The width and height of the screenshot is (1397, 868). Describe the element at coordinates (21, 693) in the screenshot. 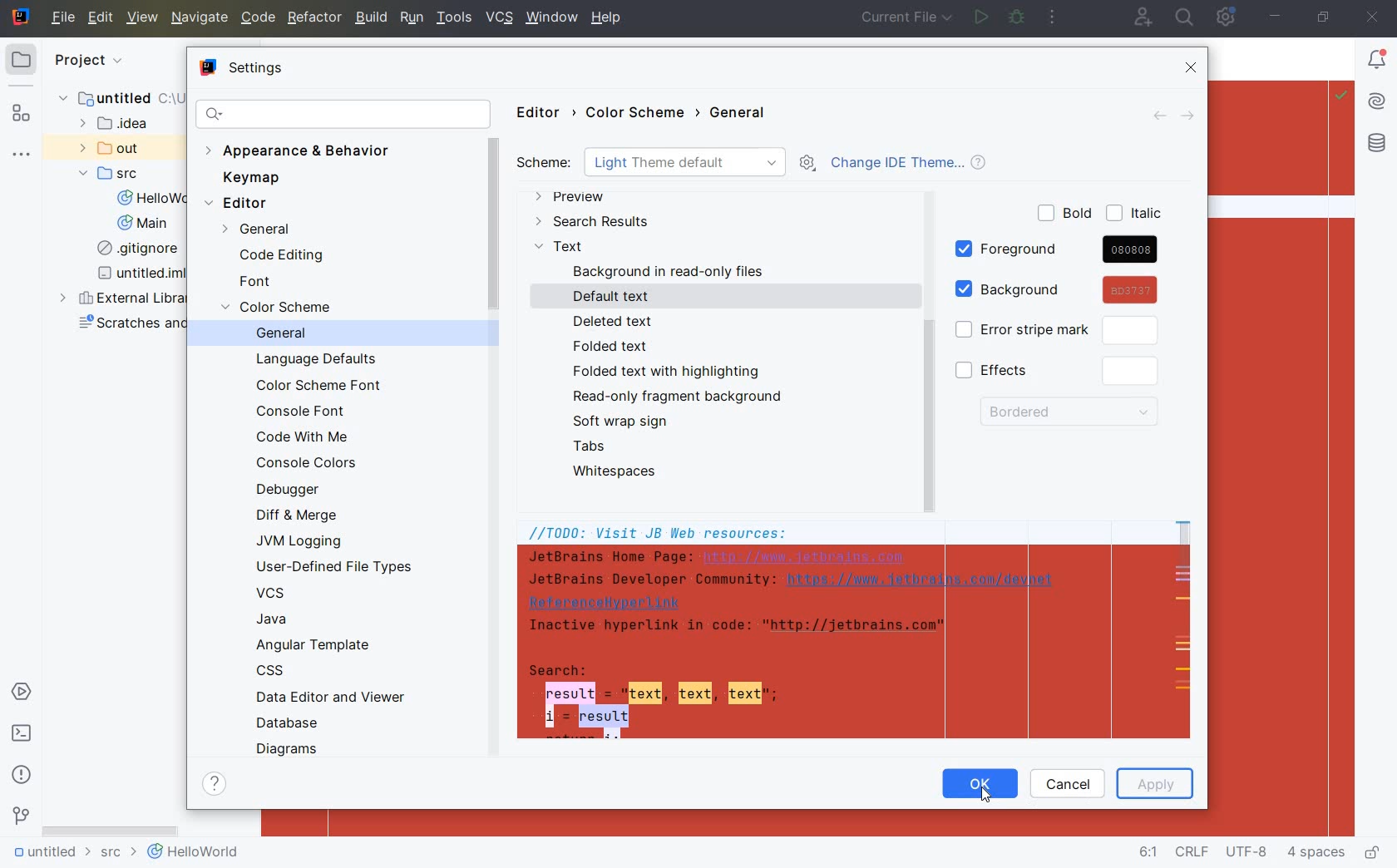

I see `services` at that location.